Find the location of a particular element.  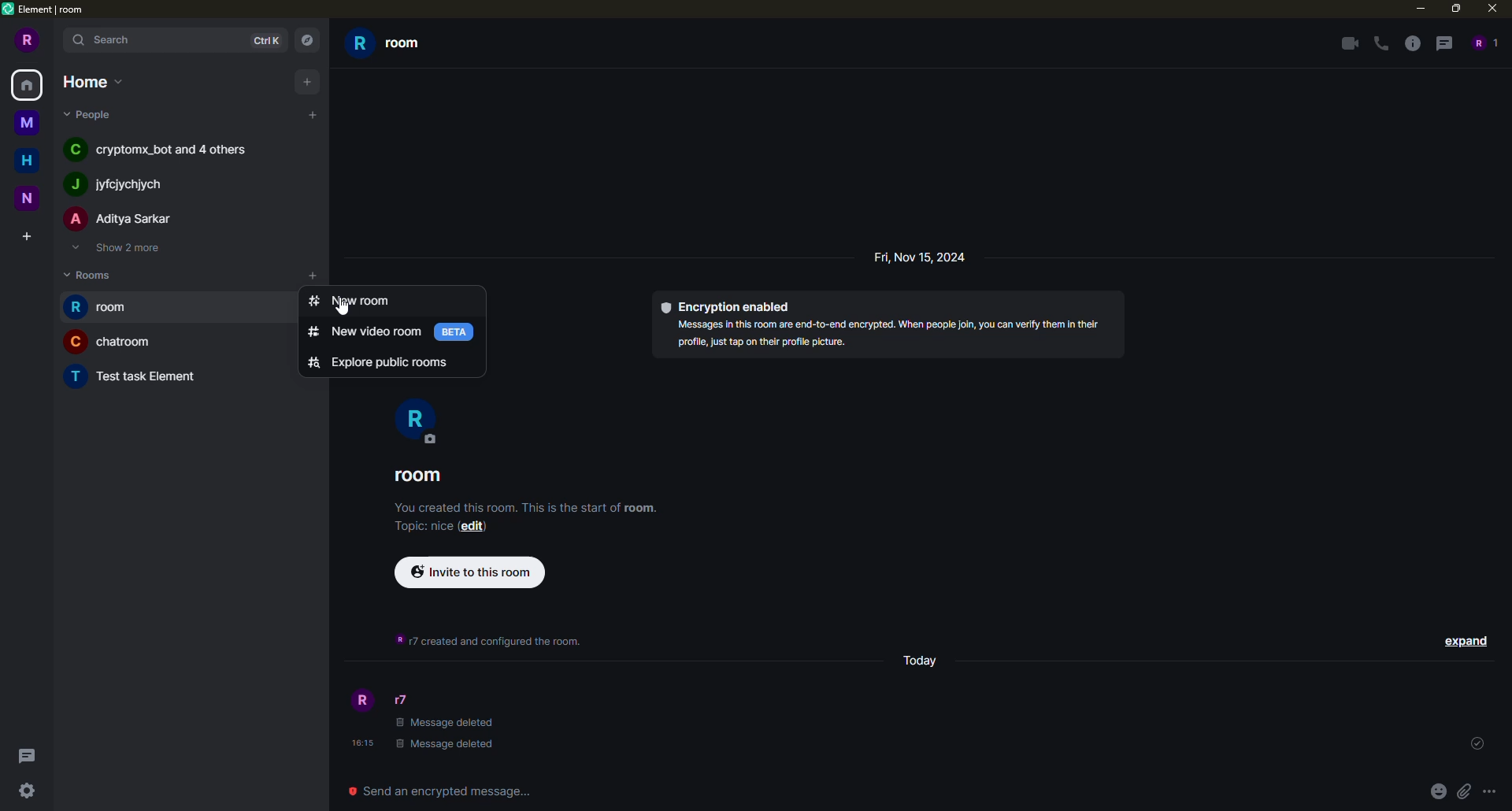

profile is located at coordinates (360, 702).